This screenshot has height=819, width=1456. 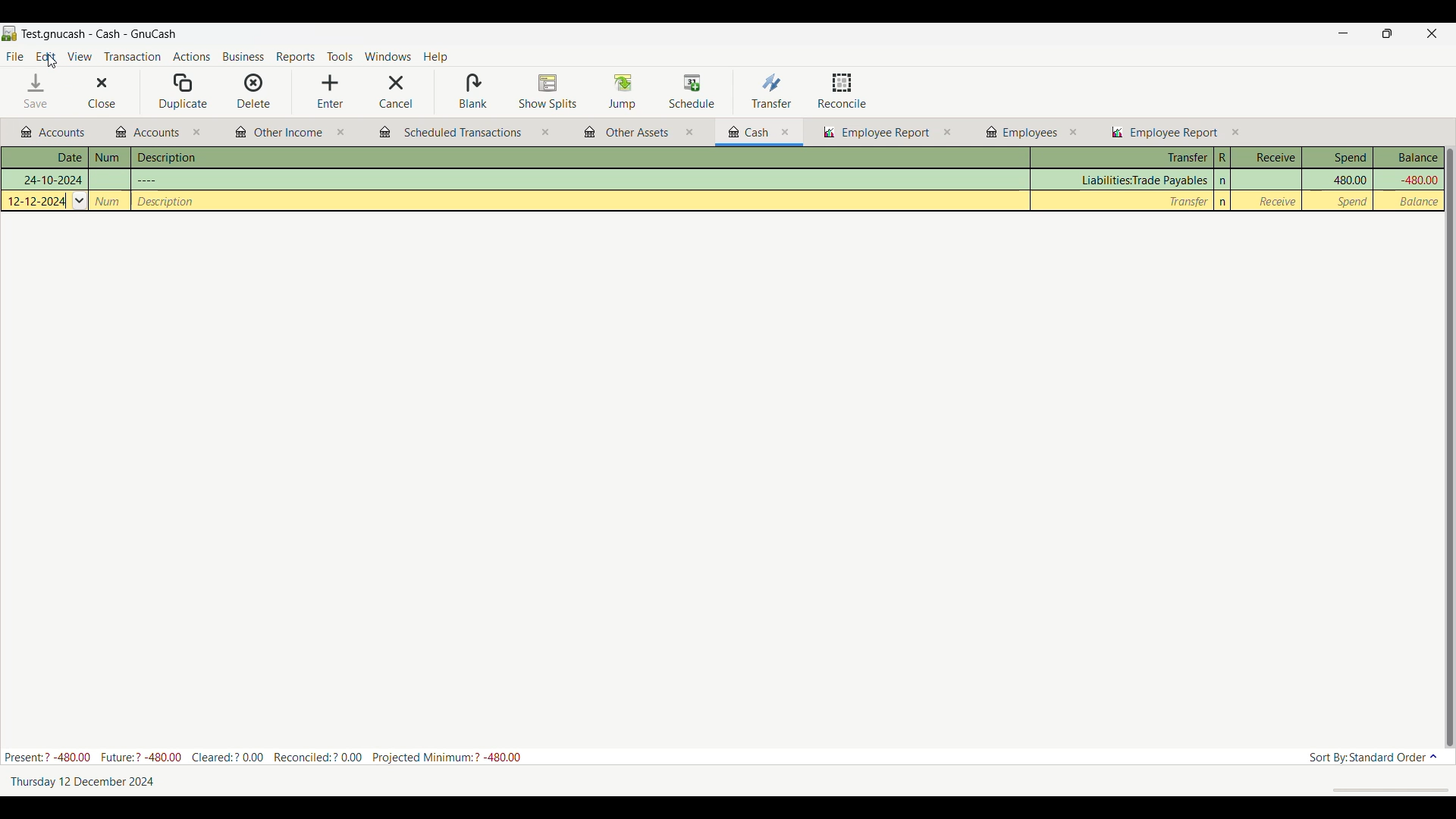 What do you see at coordinates (1021, 132) in the screenshot?
I see `Other budgets and reports` at bounding box center [1021, 132].